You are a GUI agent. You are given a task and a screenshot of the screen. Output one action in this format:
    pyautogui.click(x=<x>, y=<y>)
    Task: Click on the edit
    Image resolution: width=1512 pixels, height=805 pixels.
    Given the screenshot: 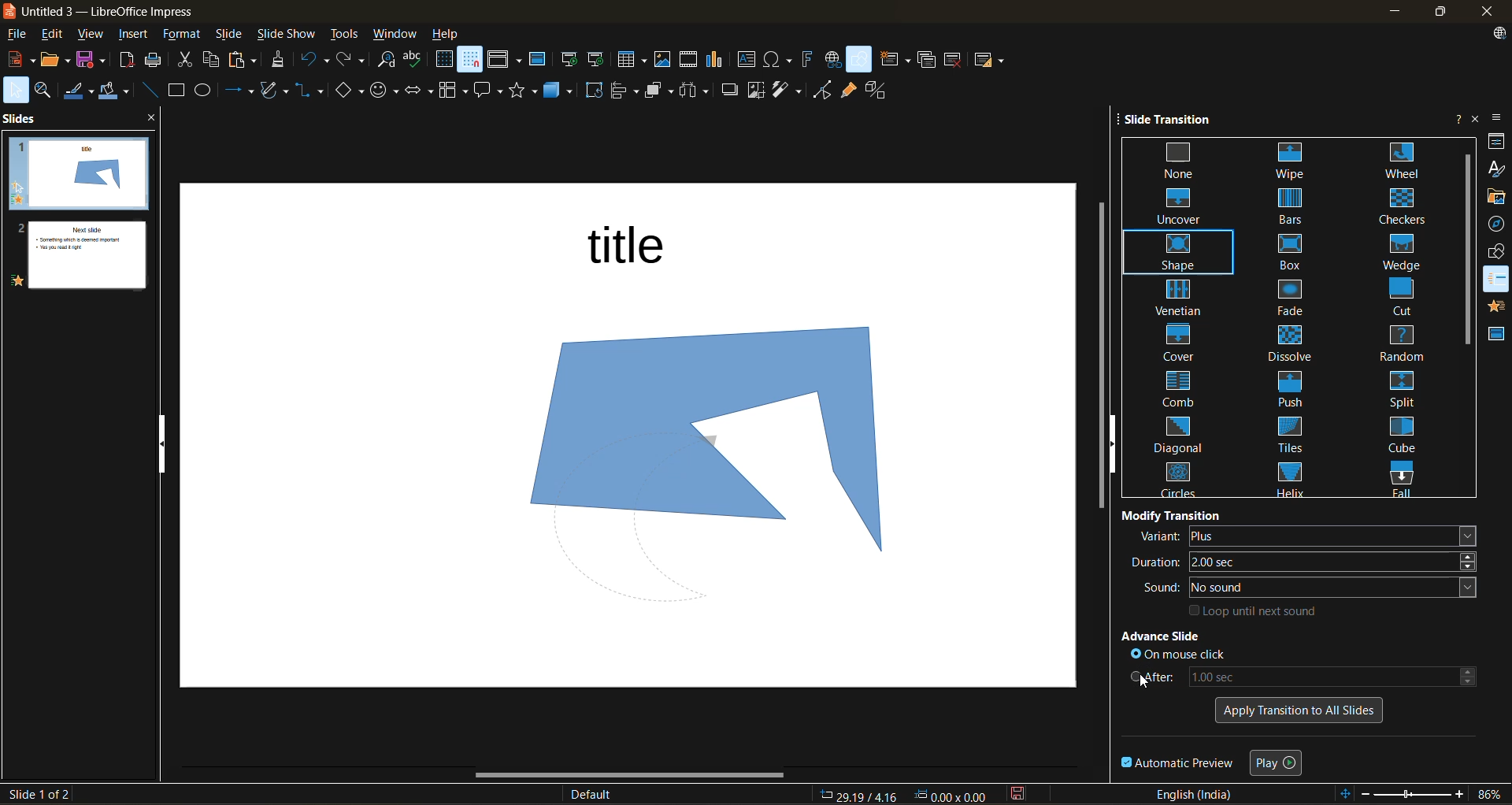 What is the action you would take?
    pyautogui.click(x=57, y=36)
    